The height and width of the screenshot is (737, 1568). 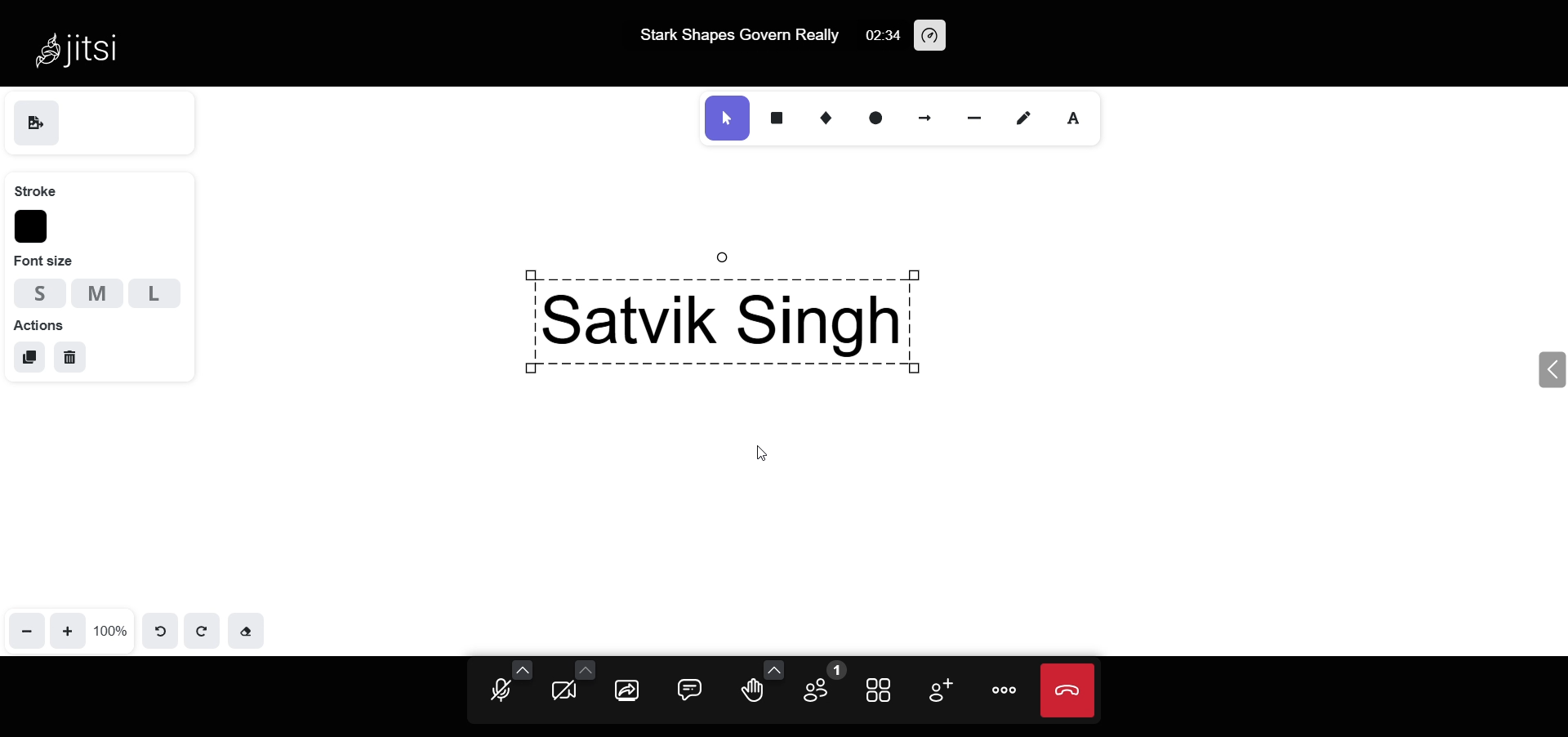 What do you see at coordinates (733, 42) in the screenshot?
I see `Stark Shapes Govern Really` at bounding box center [733, 42].